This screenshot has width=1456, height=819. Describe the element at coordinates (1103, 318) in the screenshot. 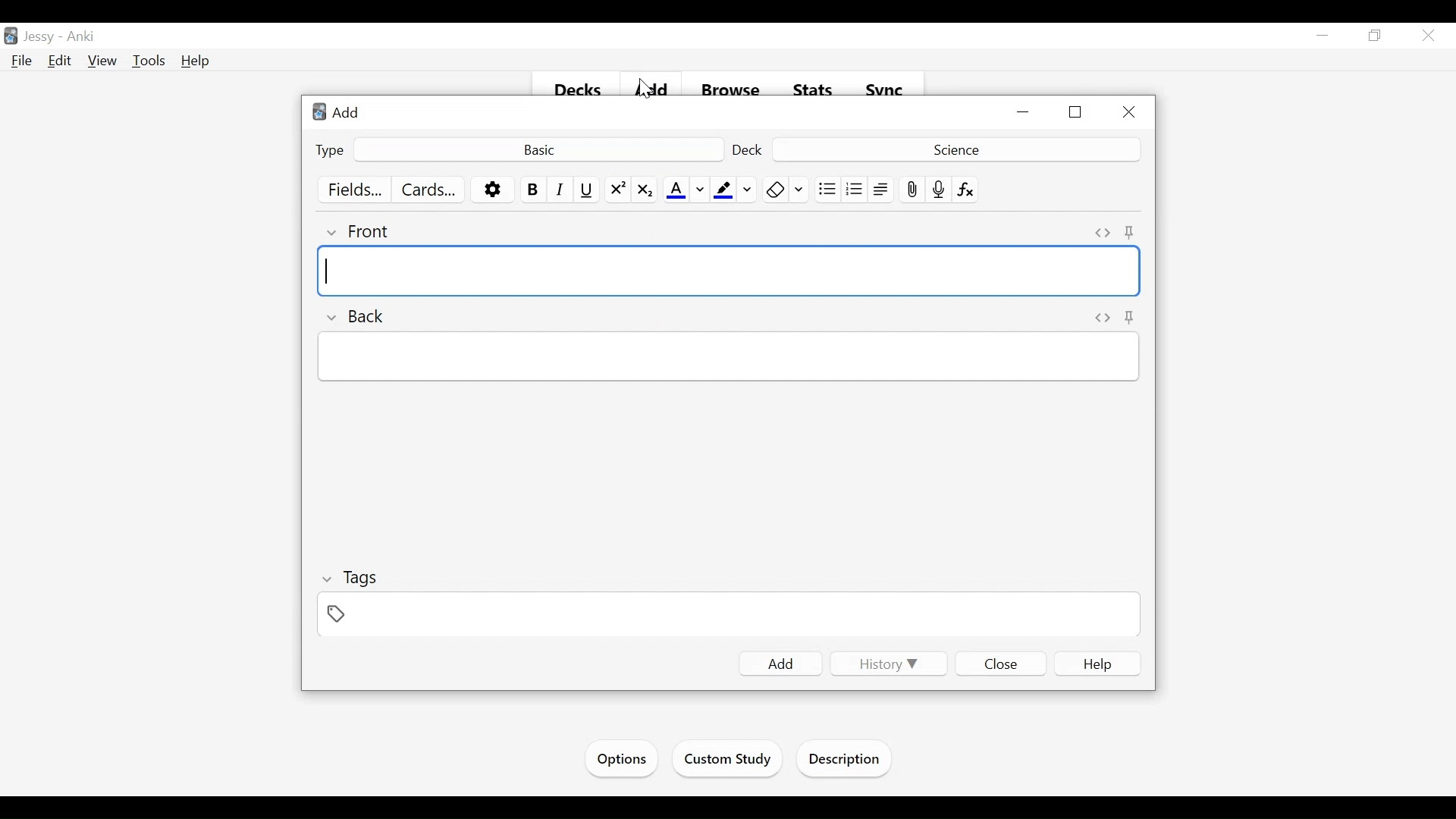

I see `Toggle HTML Editor` at that location.